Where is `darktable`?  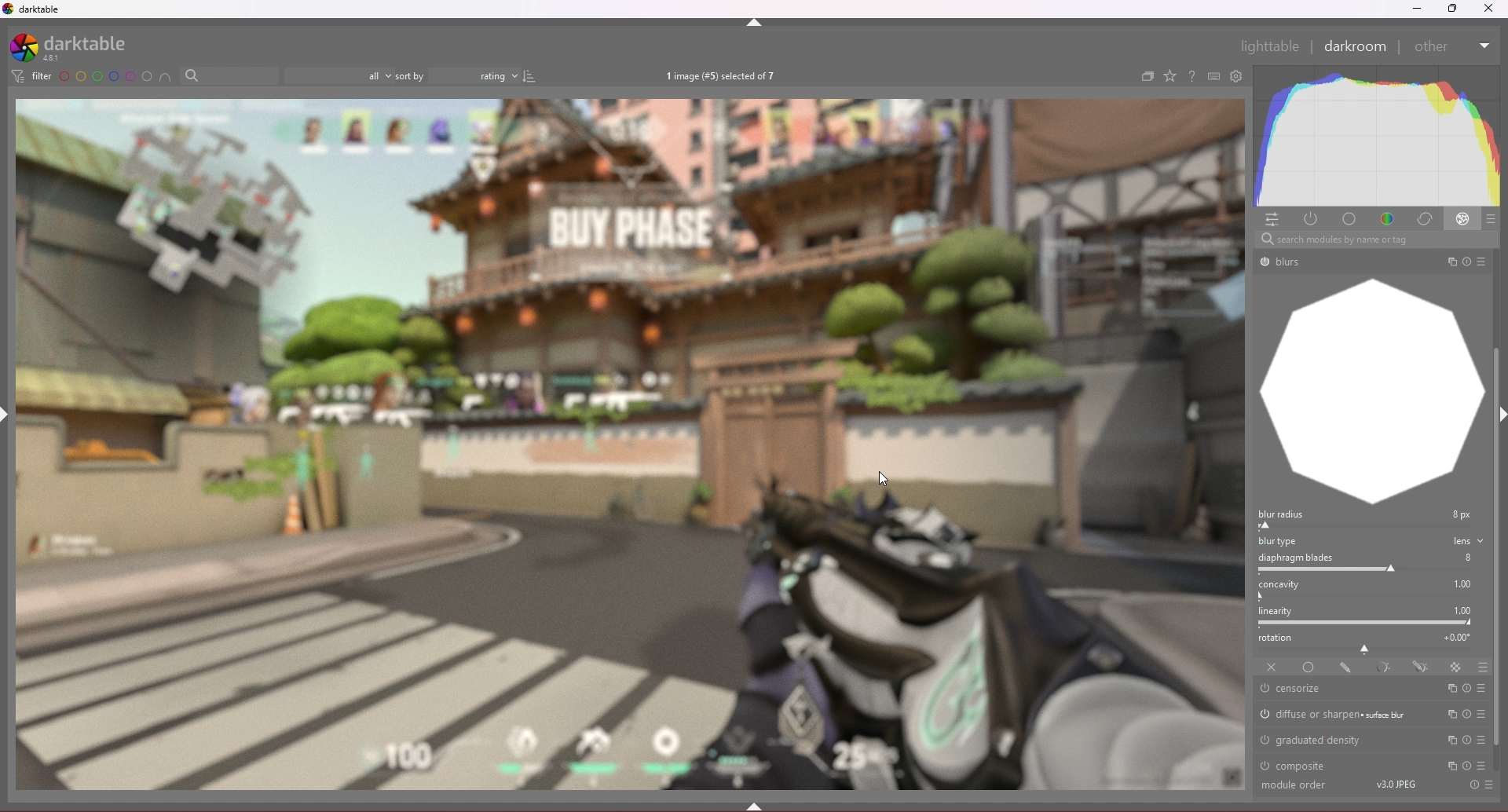
darktable is located at coordinates (78, 47).